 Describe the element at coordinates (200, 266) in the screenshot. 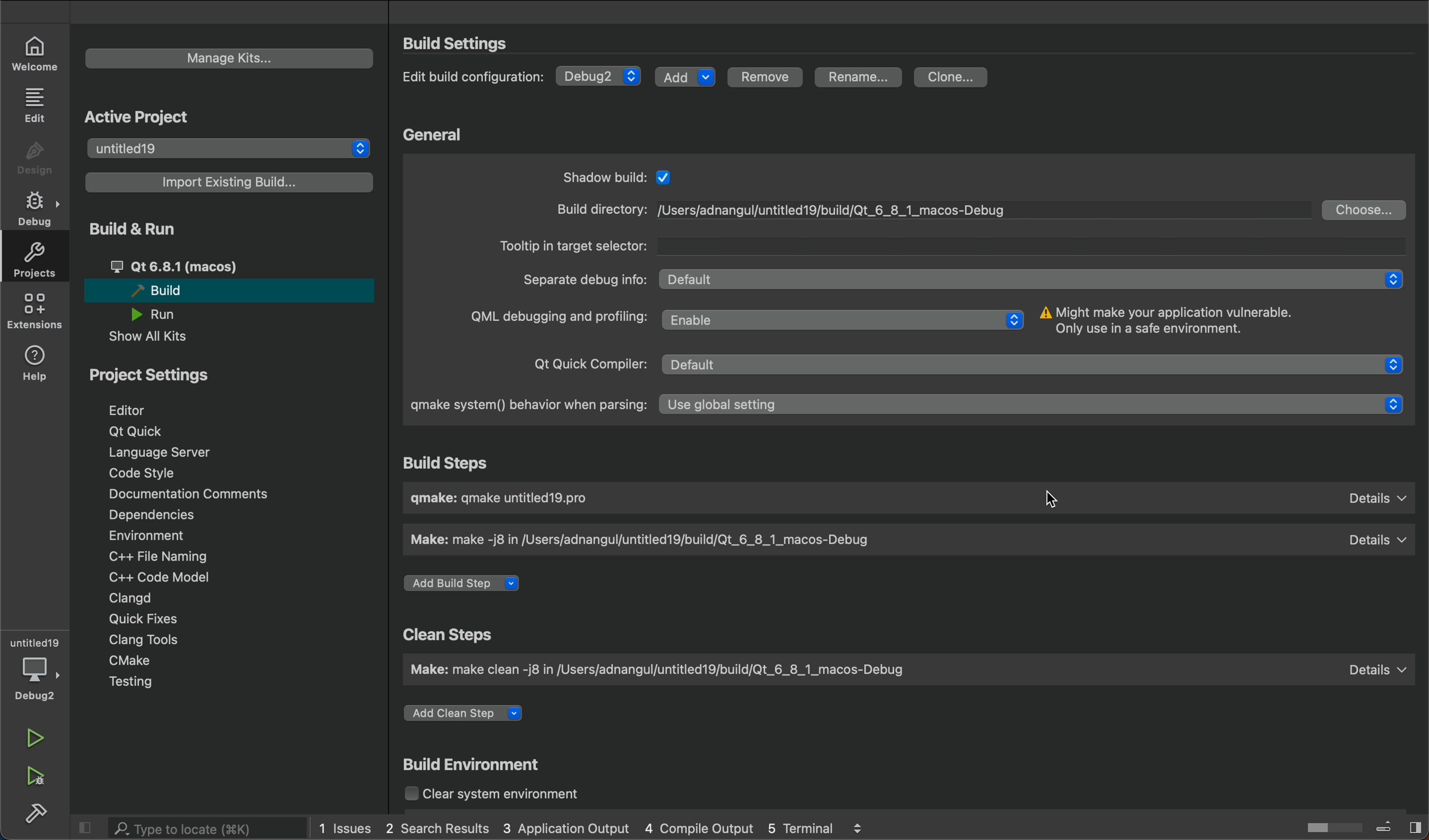

I see `qt` at that location.